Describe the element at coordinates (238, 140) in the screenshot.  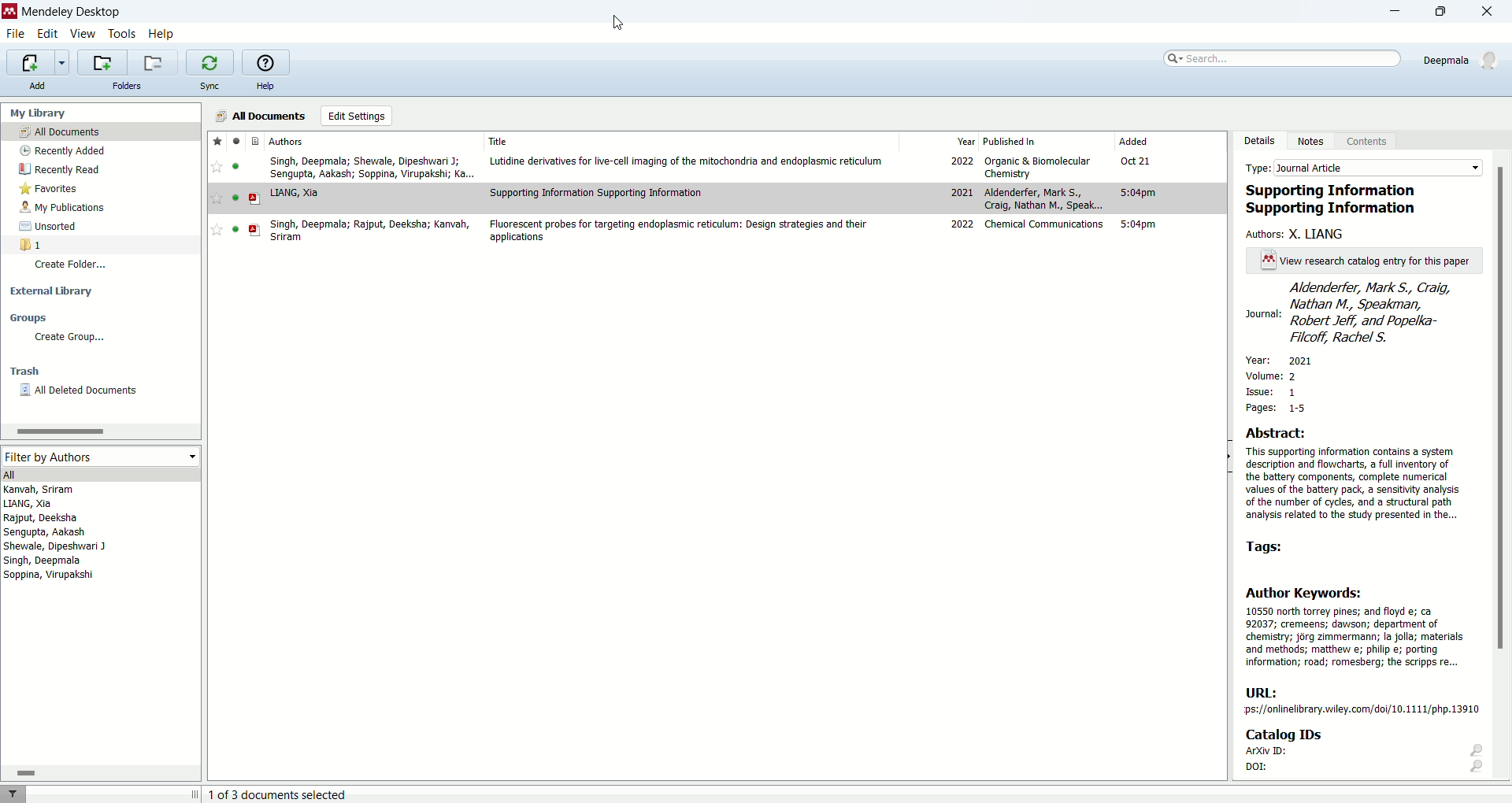
I see `read/unread` at that location.